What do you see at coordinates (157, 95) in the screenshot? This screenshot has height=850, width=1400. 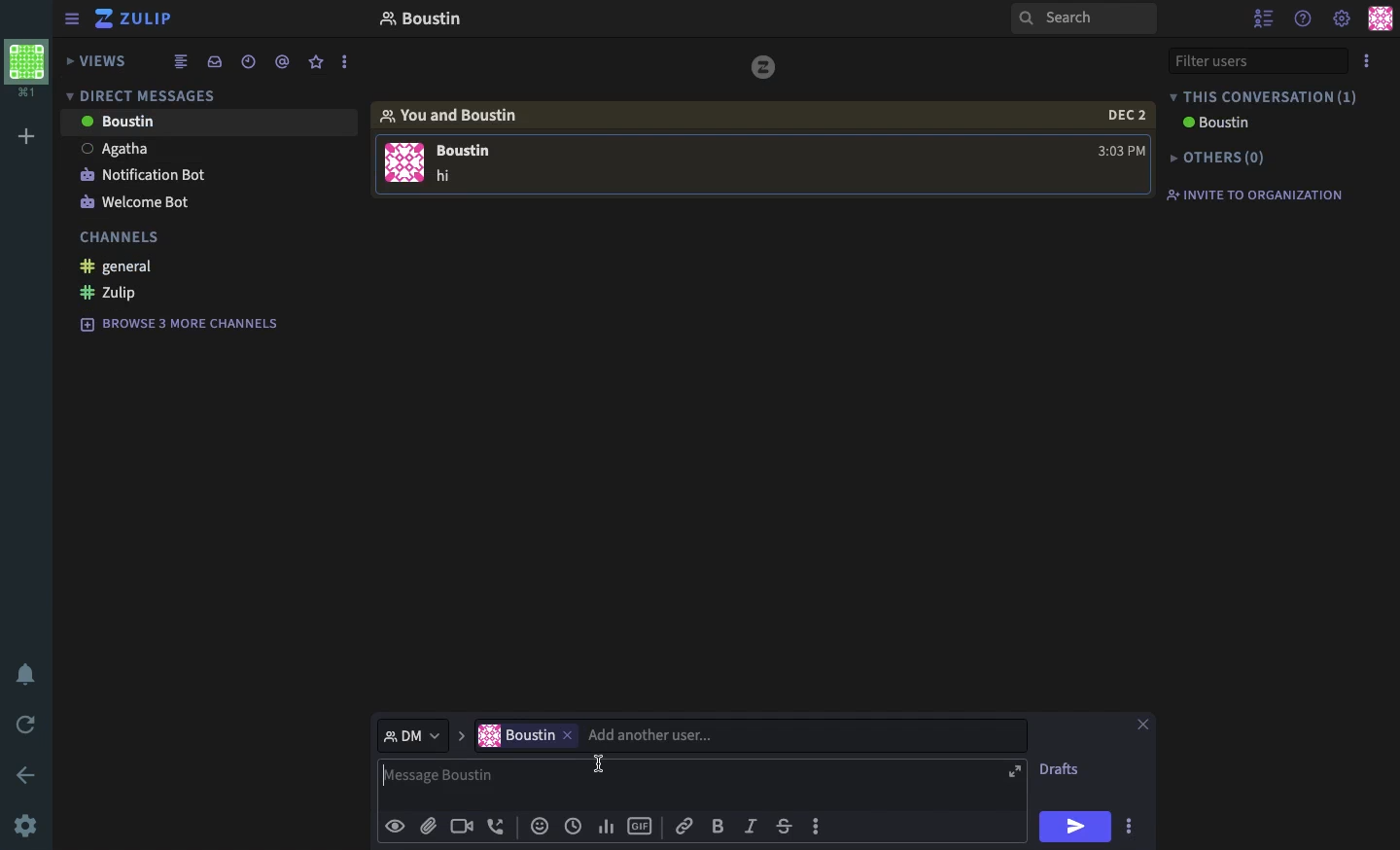 I see `direct messages` at bounding box center [157, 95].